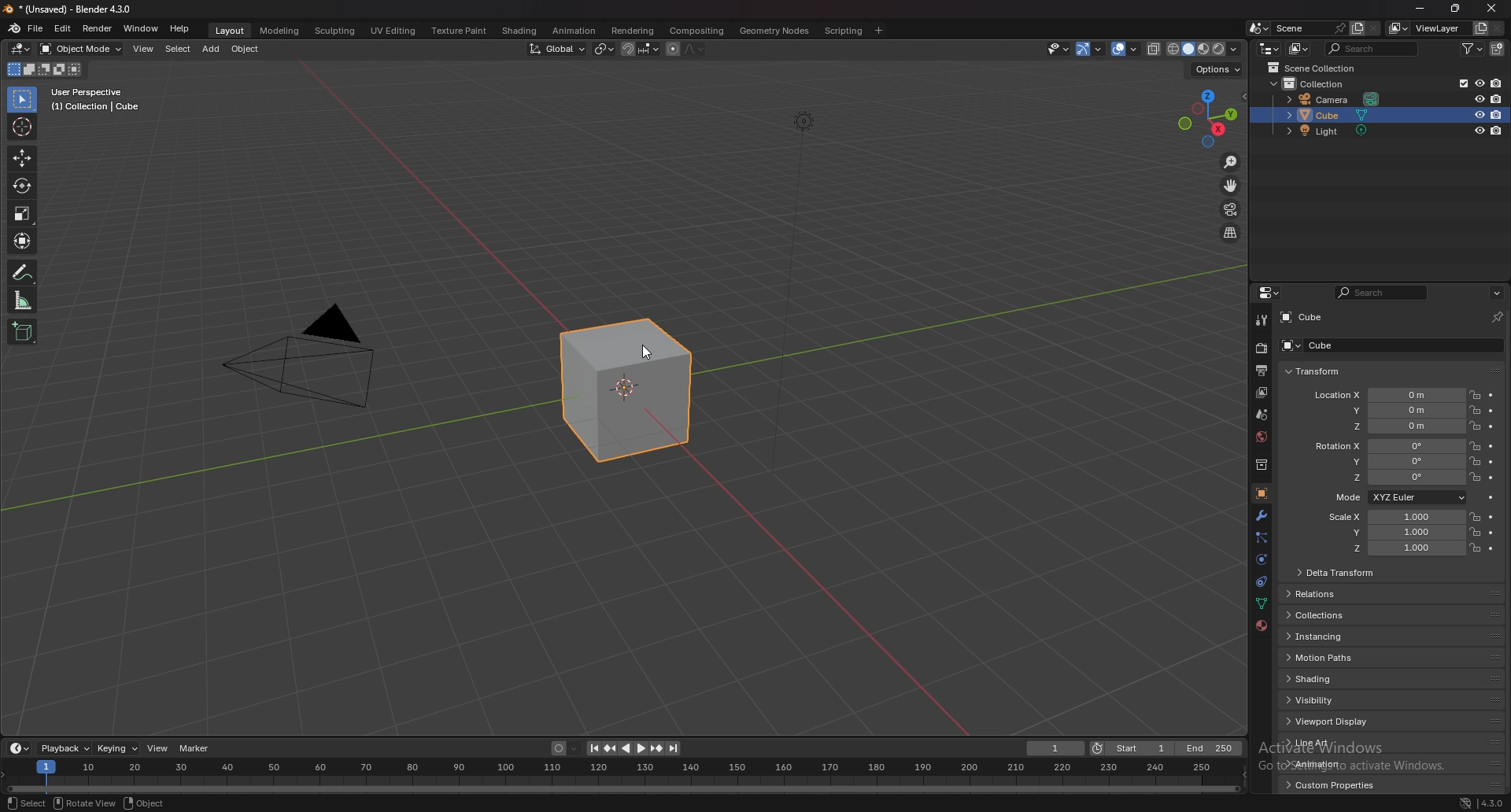 The height and width of the screenshot is (812, 1511). What do you see at coordinates (1392, 460) in the screenshot?
I see `rotation y` at bounding box center [1392, 460].